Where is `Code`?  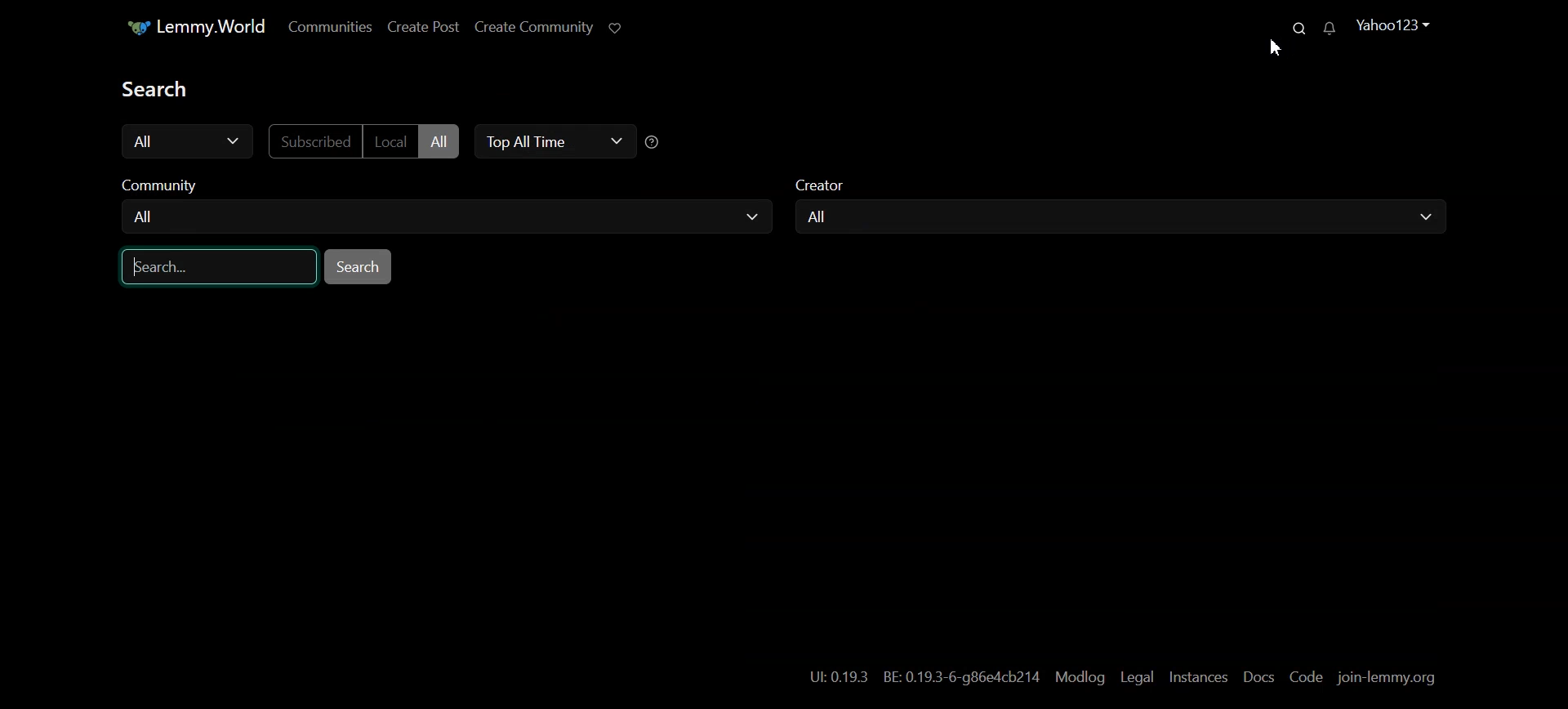 Code is located at coordinates (1304, 676).